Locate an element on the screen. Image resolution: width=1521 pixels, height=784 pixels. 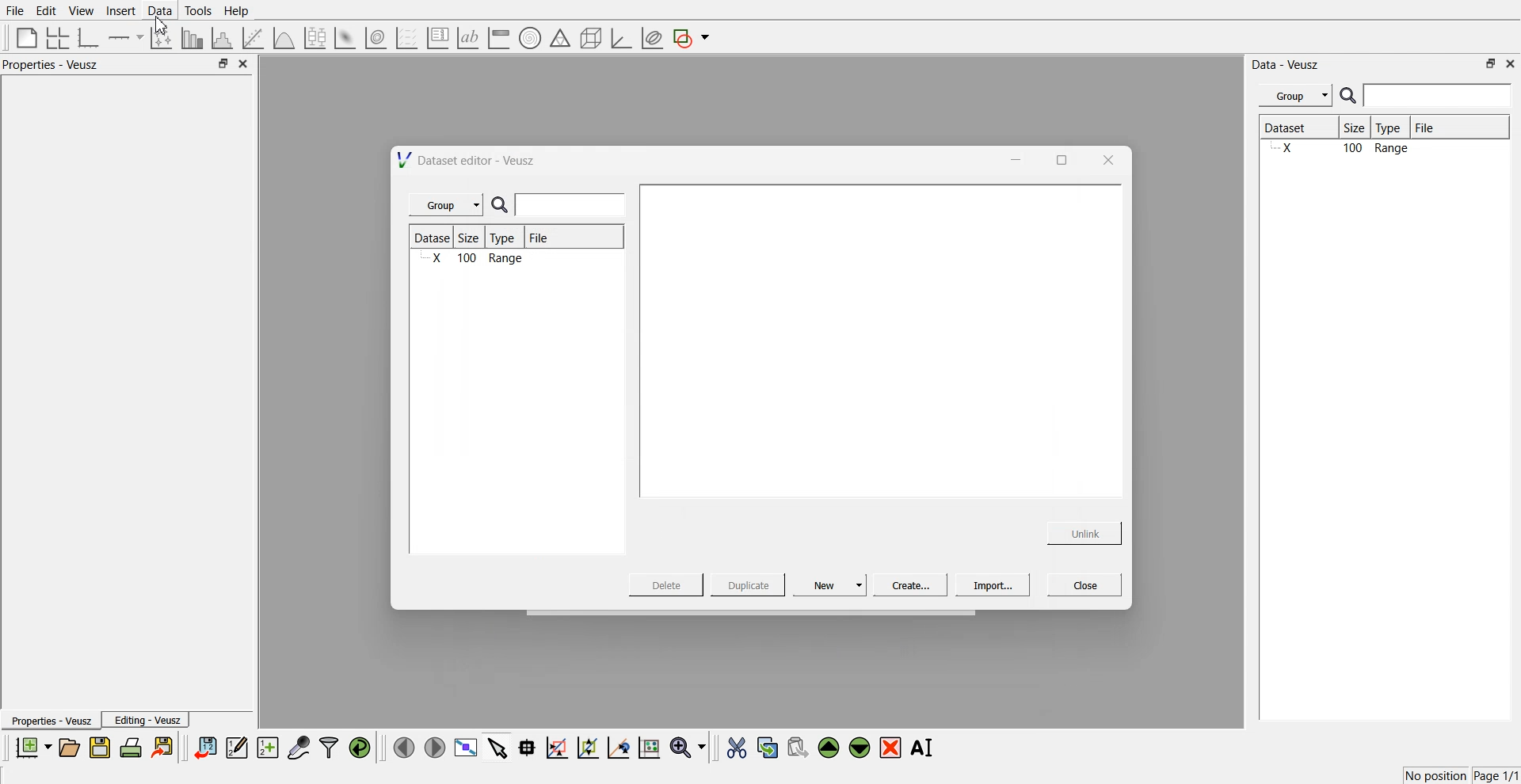
new documents is located at coordinates (32, 747).